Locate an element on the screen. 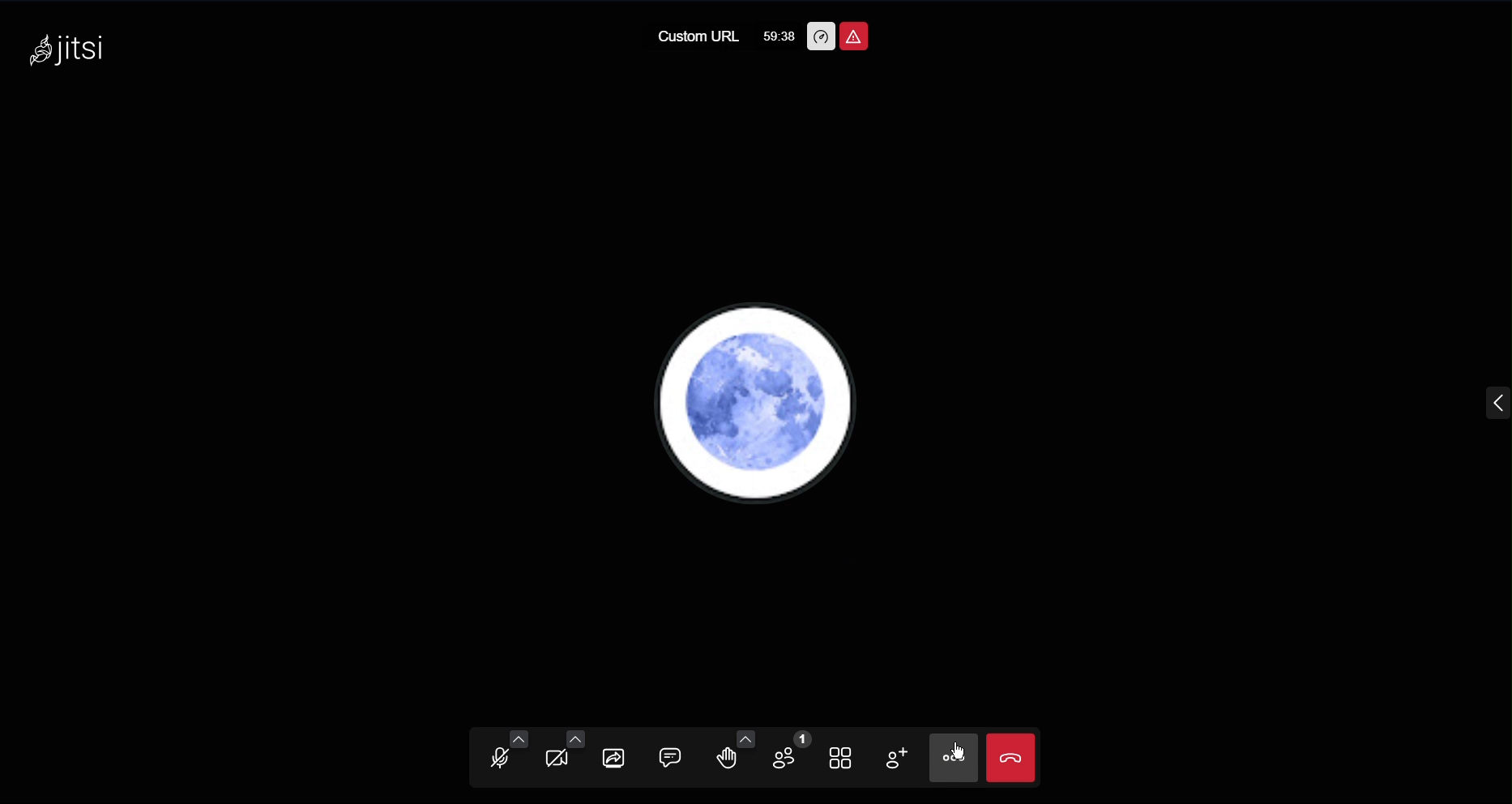  Unsafe is located at coordinates (856, 36).